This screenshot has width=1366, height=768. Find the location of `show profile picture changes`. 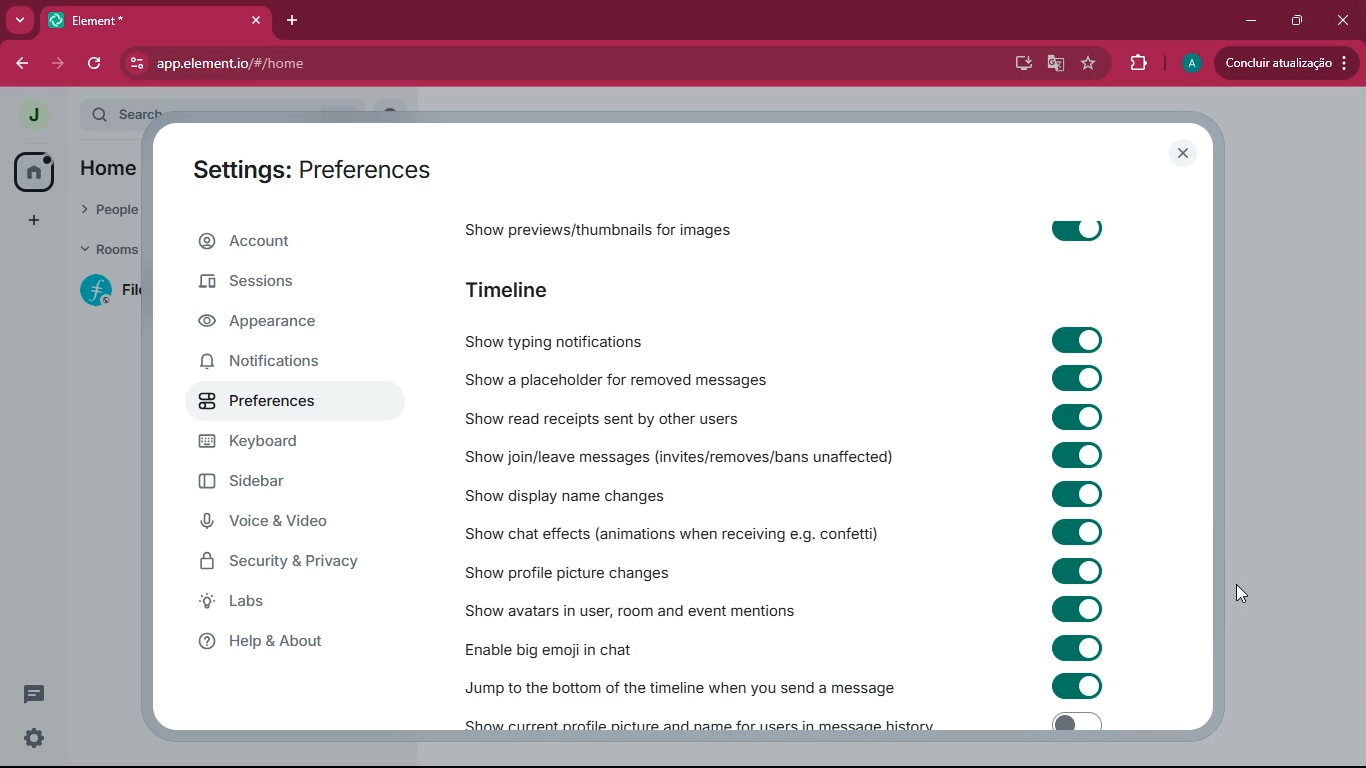

show profile picture changes is located at coordinates (568, 573).